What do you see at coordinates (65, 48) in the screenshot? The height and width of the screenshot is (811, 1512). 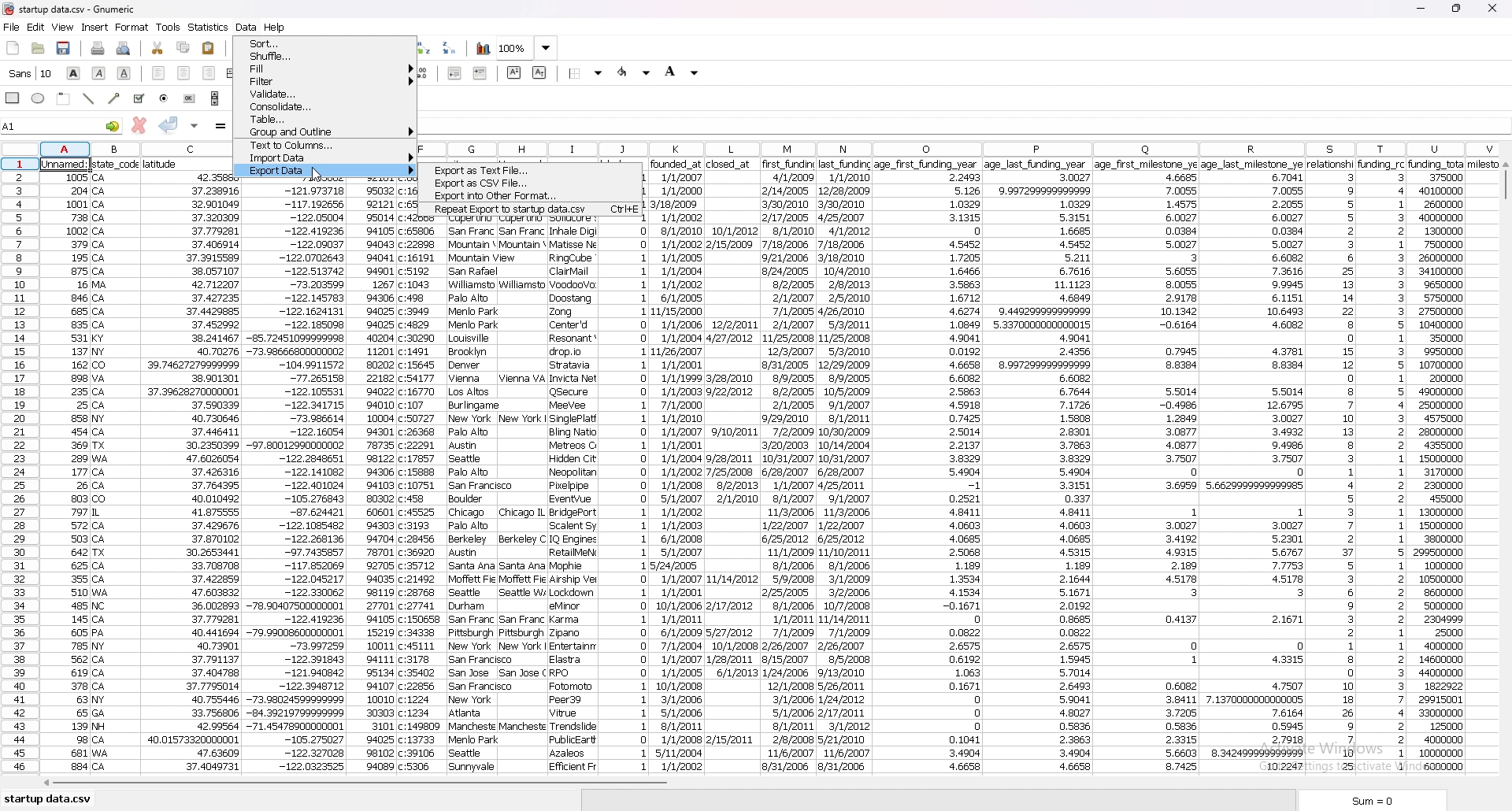 I see `save` at bounding box center [65, 48].